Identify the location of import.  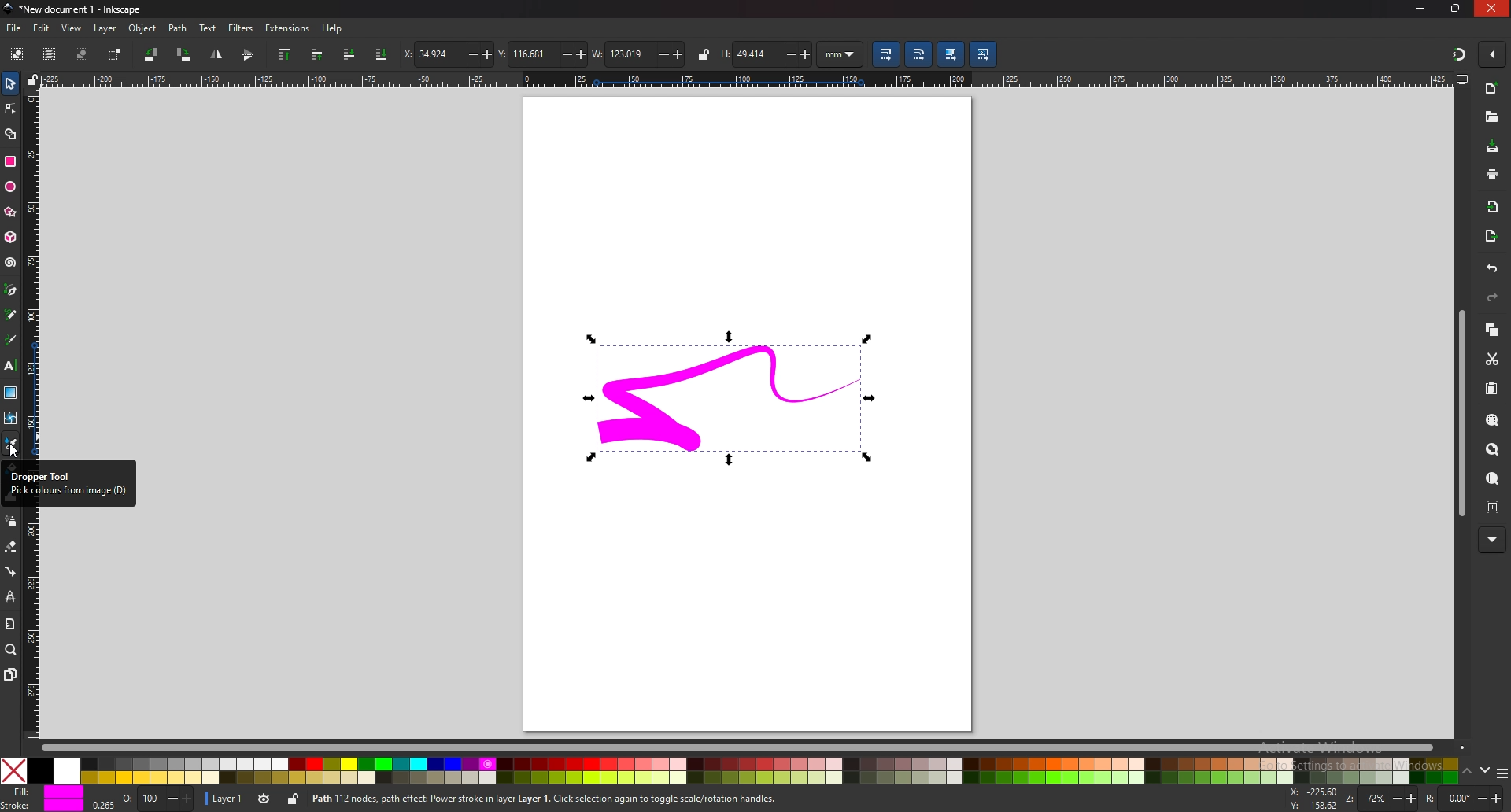
(1490, 207).